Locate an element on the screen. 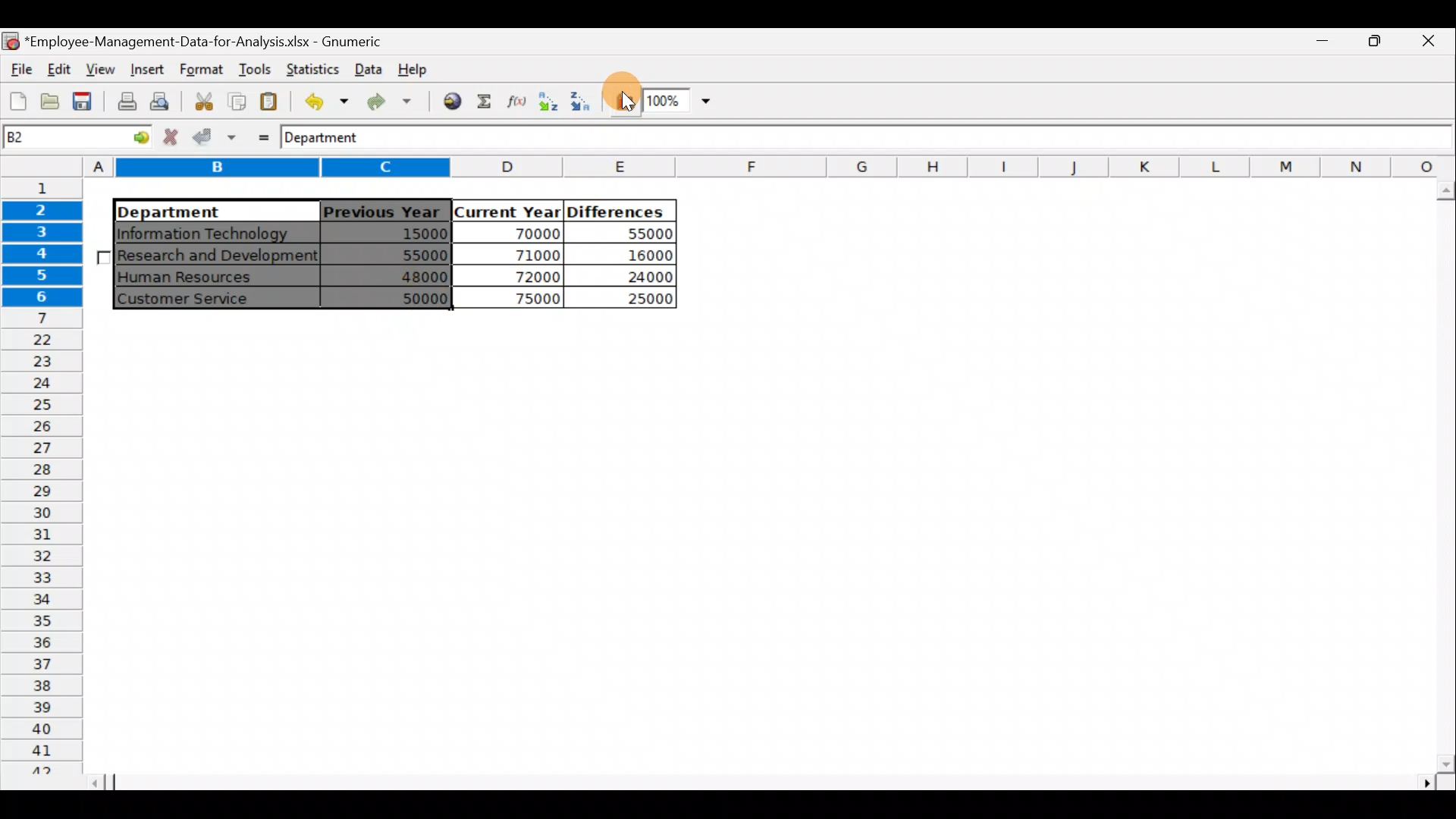 Image resolution: width=1456 pixels, height=819 pixels. Differences is located at coordinates (619, 211).